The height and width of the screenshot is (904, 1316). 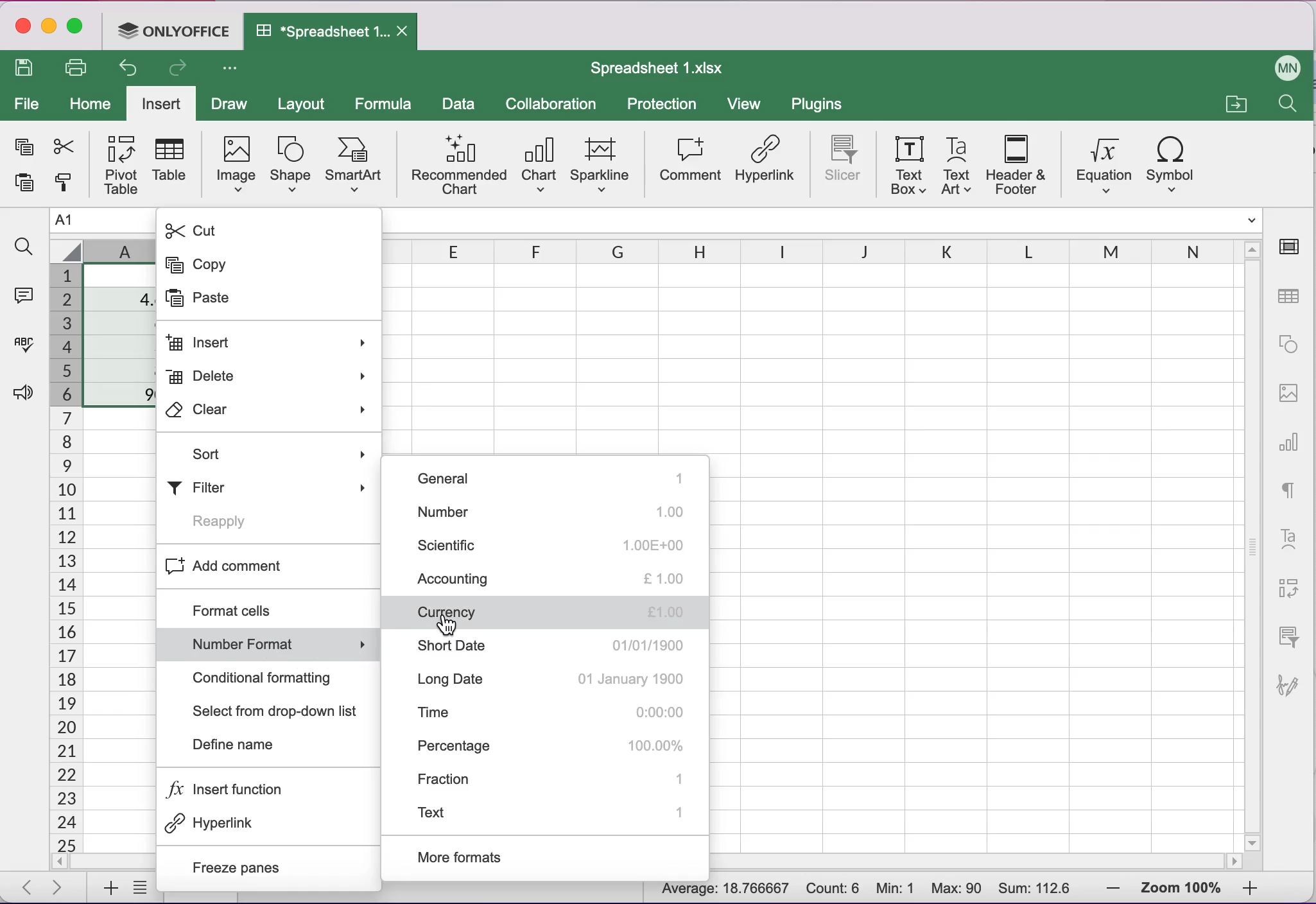 I want to click on columns, so click(x=827, y=251).